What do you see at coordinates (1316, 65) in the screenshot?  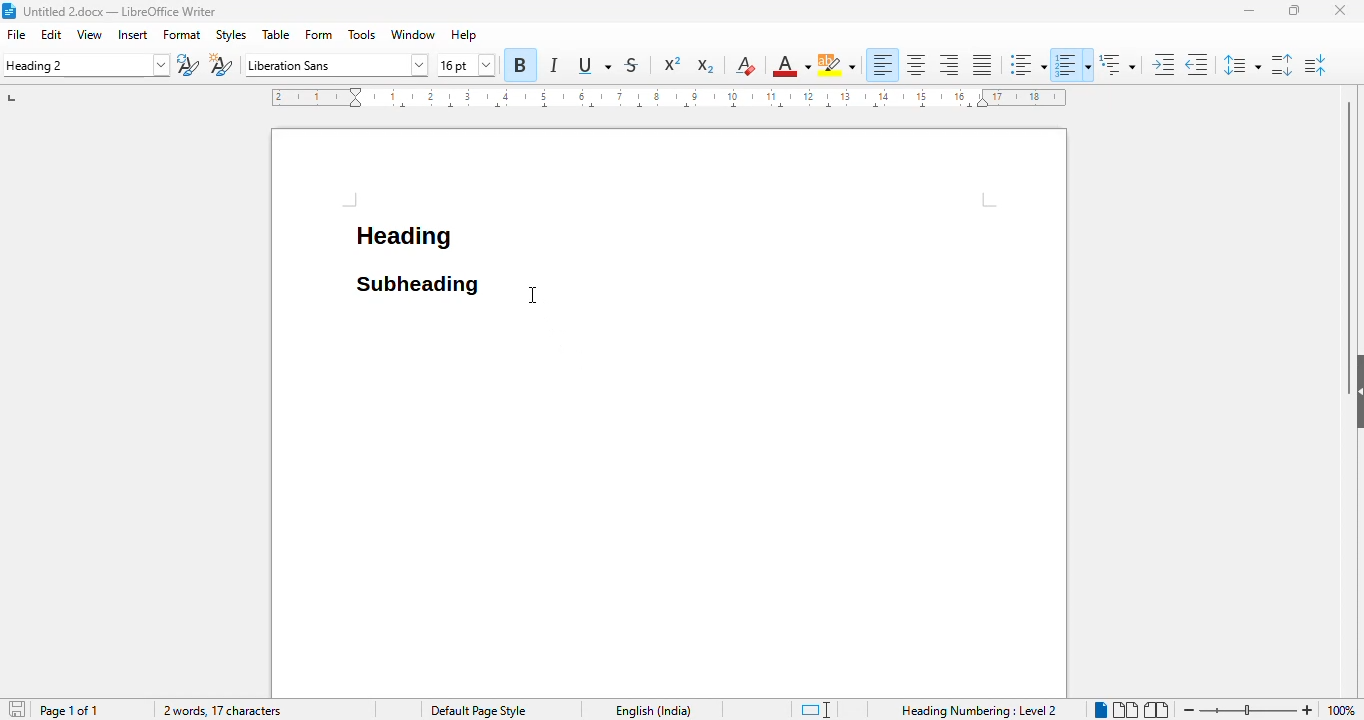 I see `decrease paragraph spacing` at bounding box center [1316, 65].